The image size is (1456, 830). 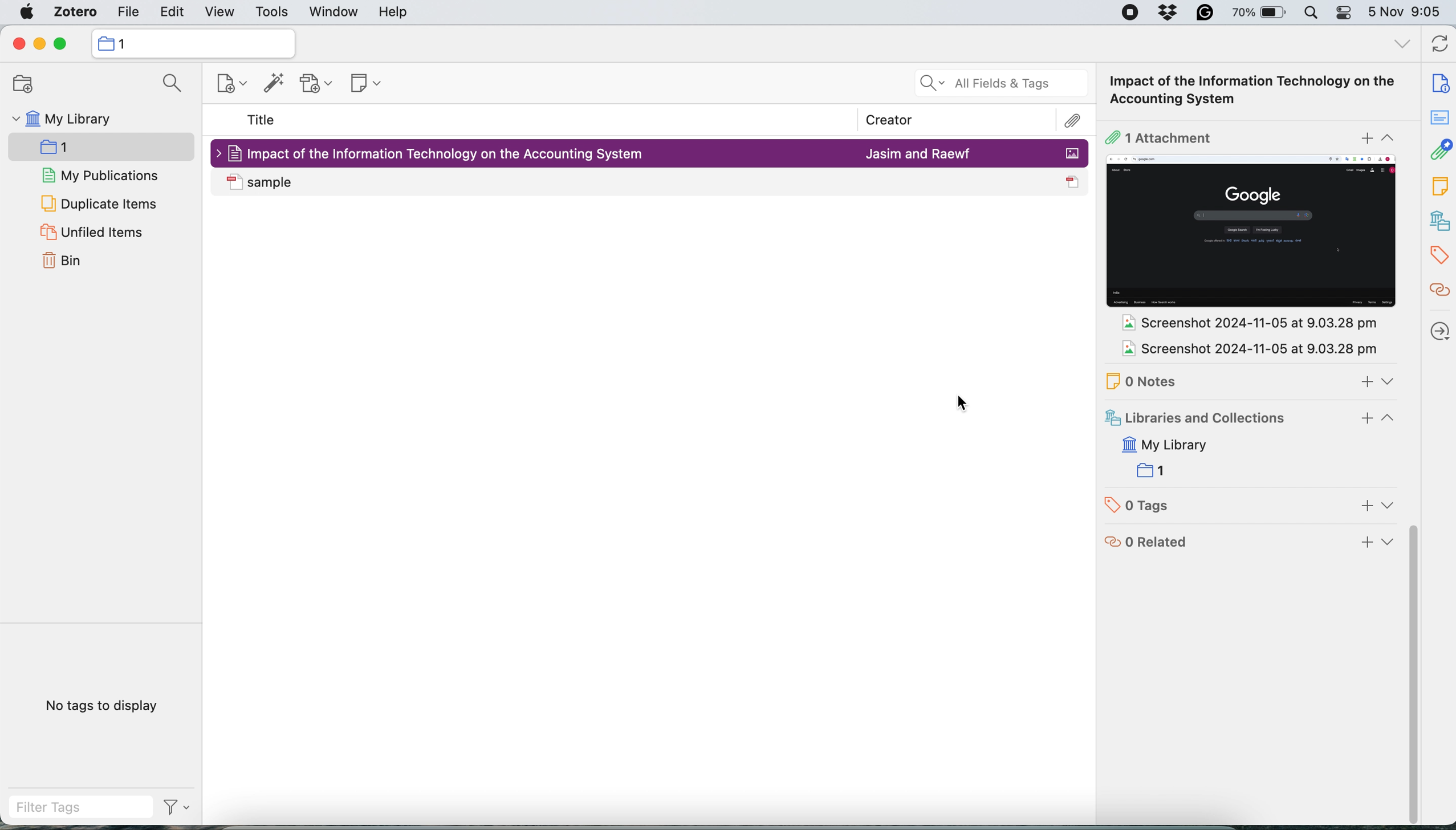 I want to click on related, so click(x=1438, y=150).